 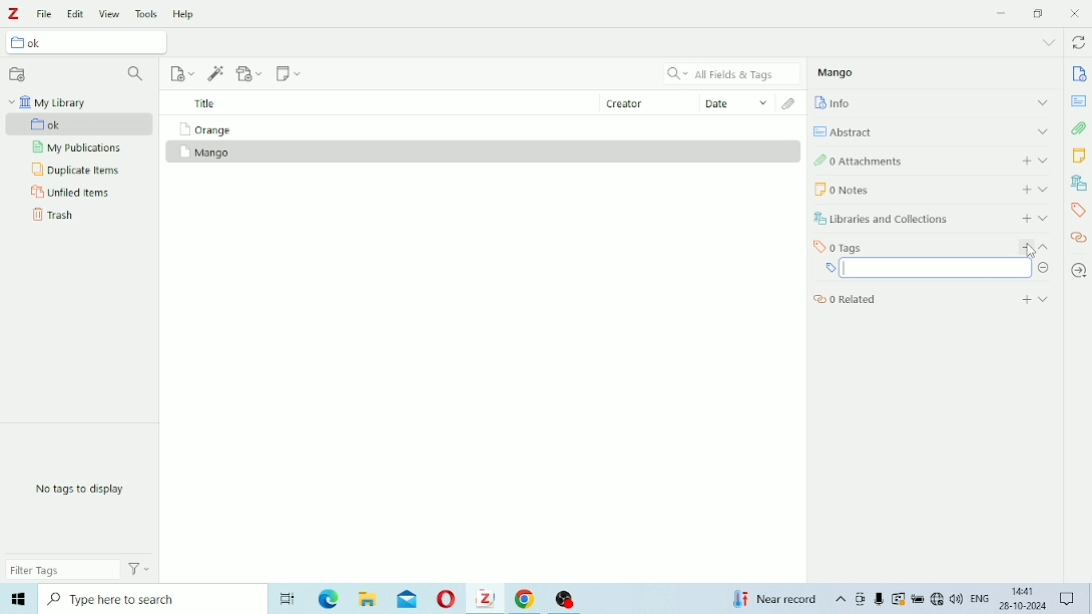 I want to click on No tags to display, so click(x=83, y=490).